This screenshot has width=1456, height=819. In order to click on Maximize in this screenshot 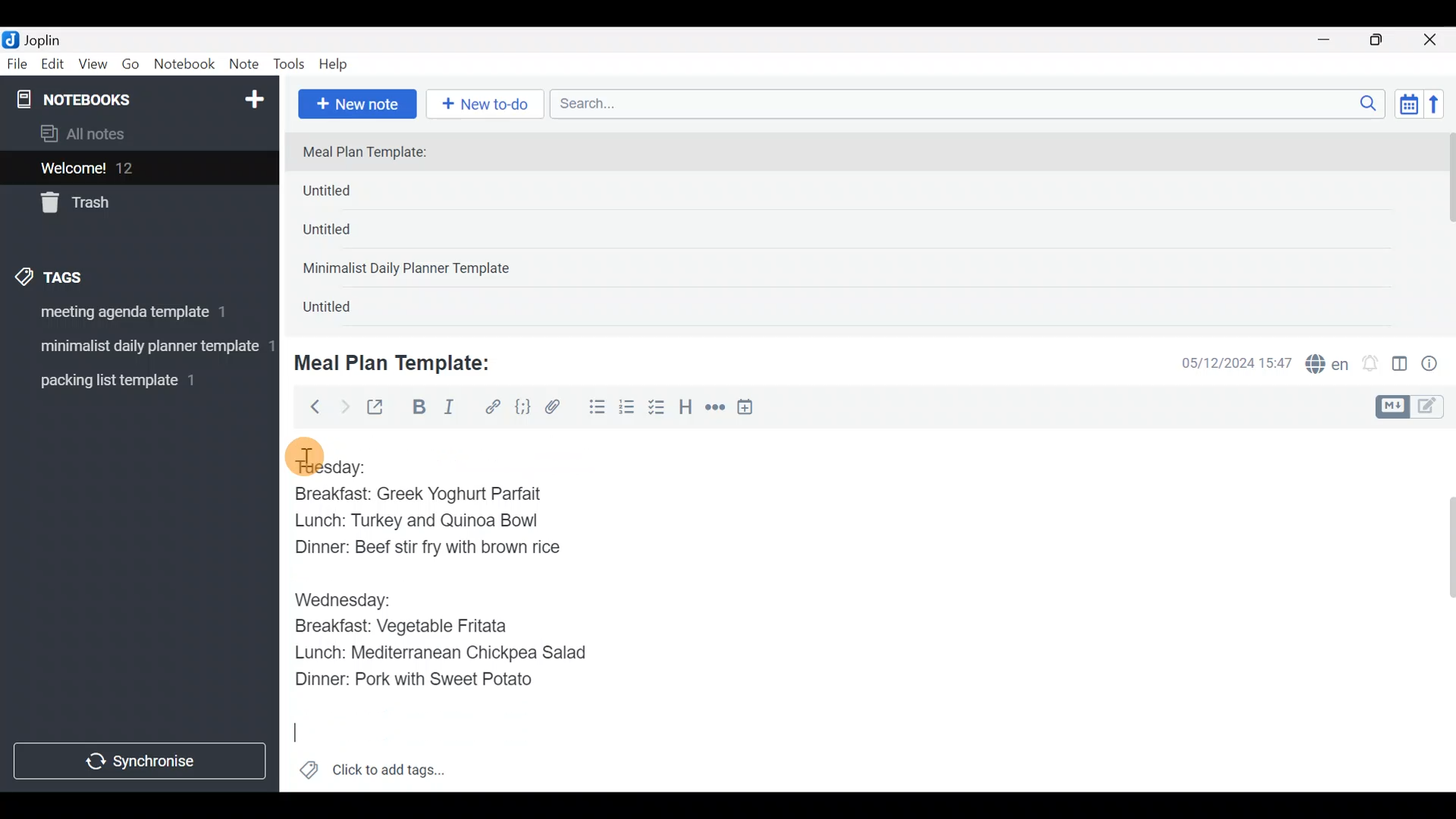, I will do `click(1385, 40)`.